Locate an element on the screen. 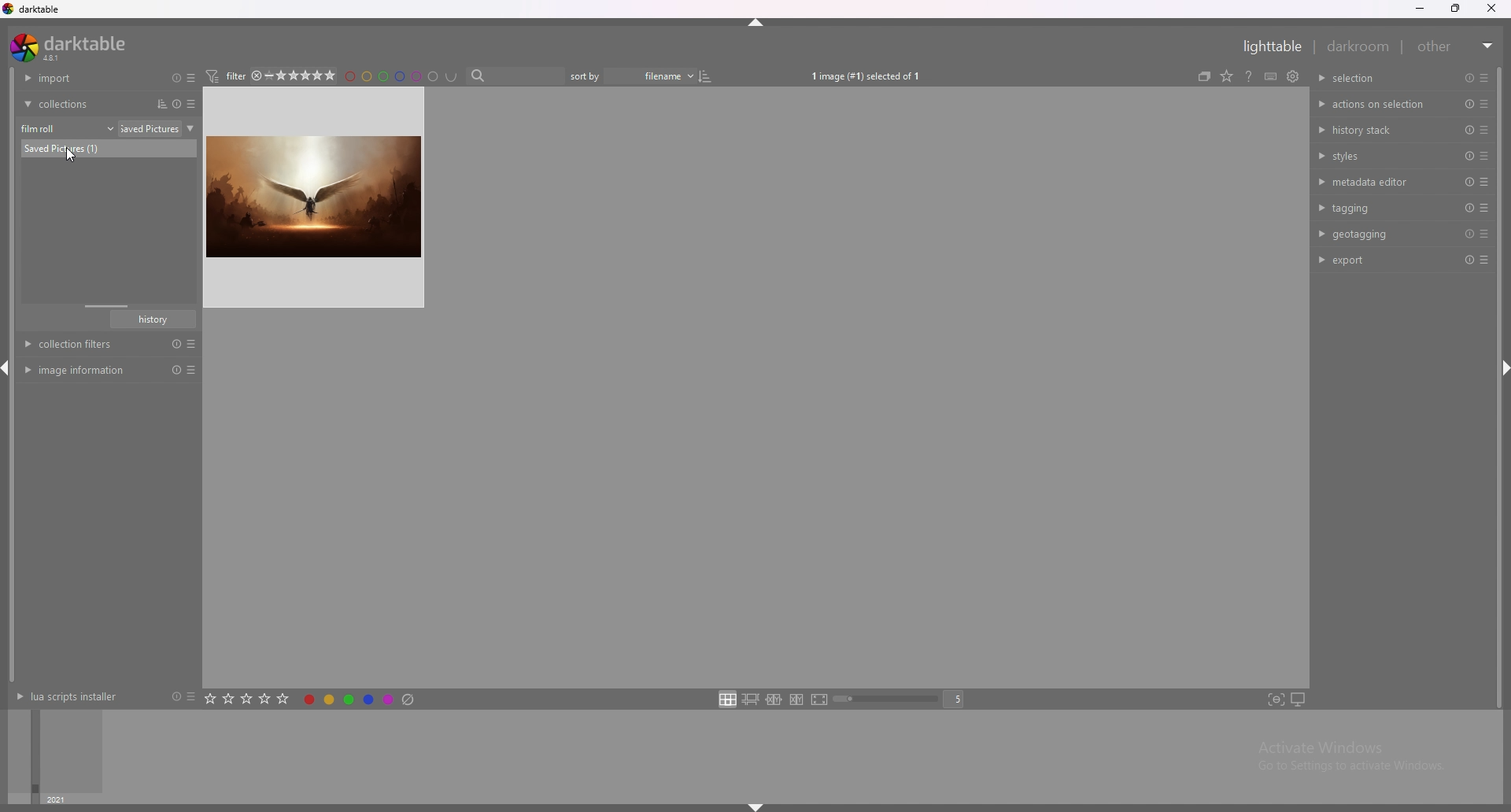  reset is located at coordinates (1469, 234).